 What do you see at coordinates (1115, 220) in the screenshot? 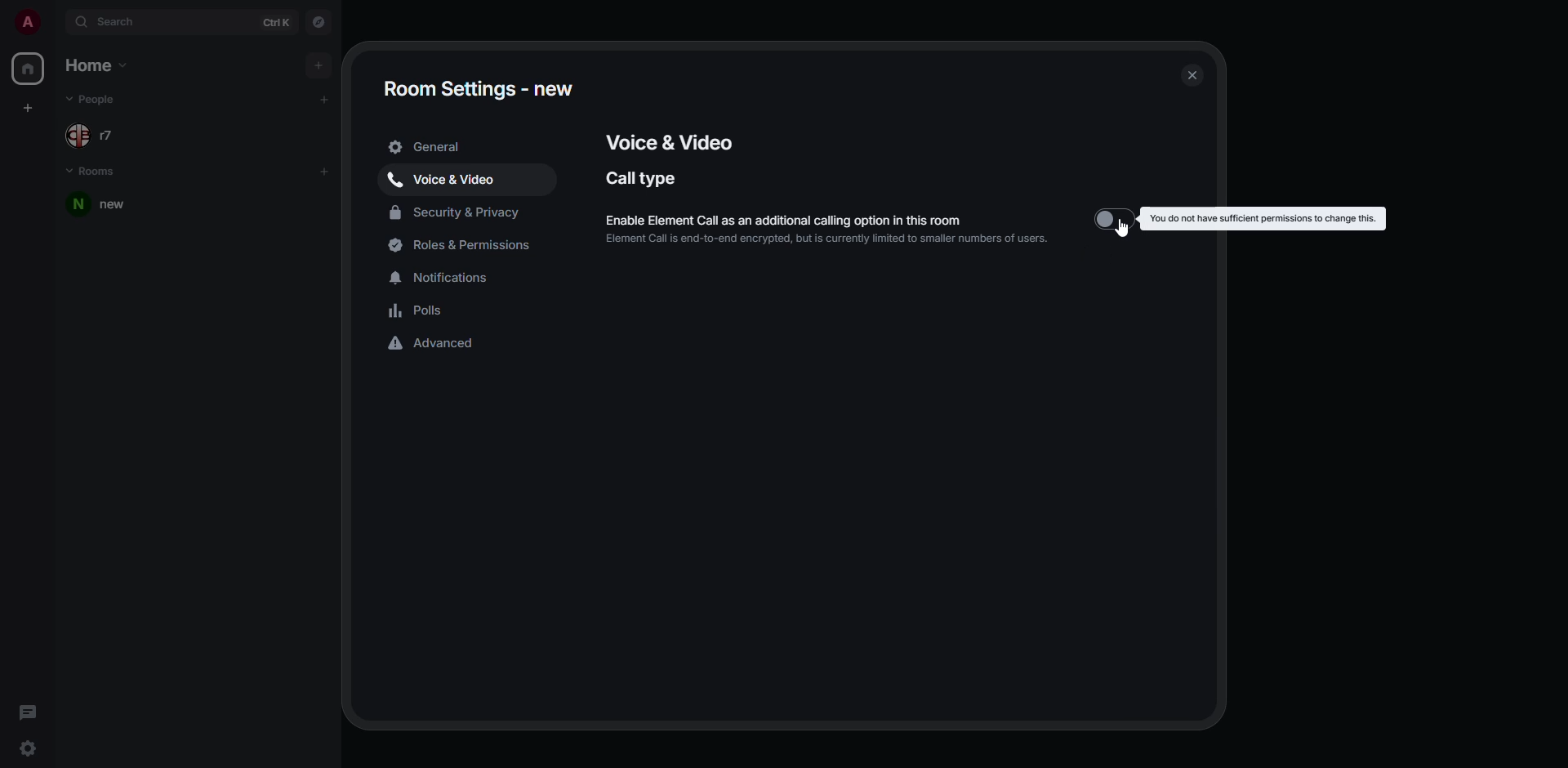
I see `disabled` at bounding box center [1115, 220].